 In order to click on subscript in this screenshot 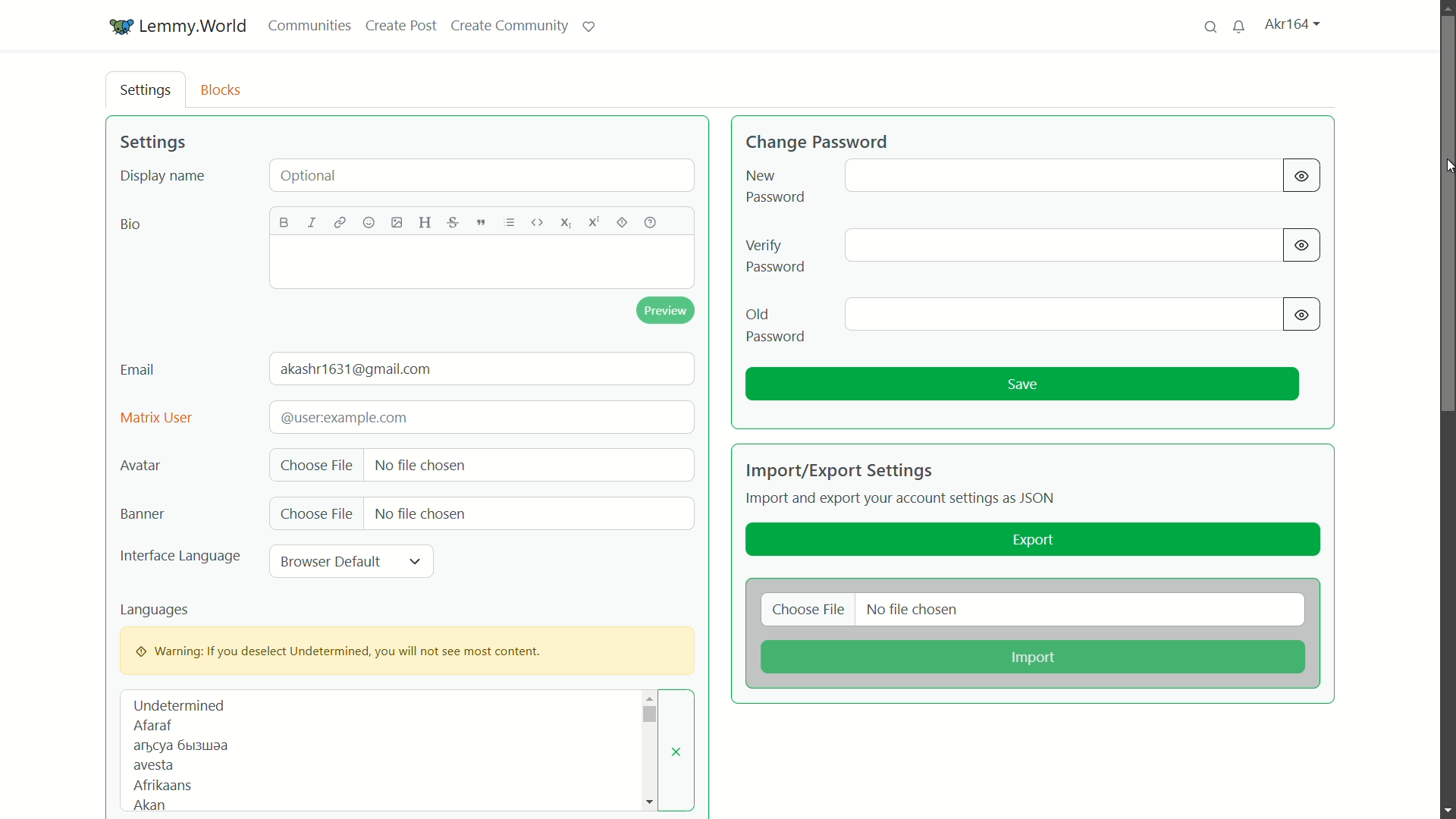, I will do `click(566, 224)`.